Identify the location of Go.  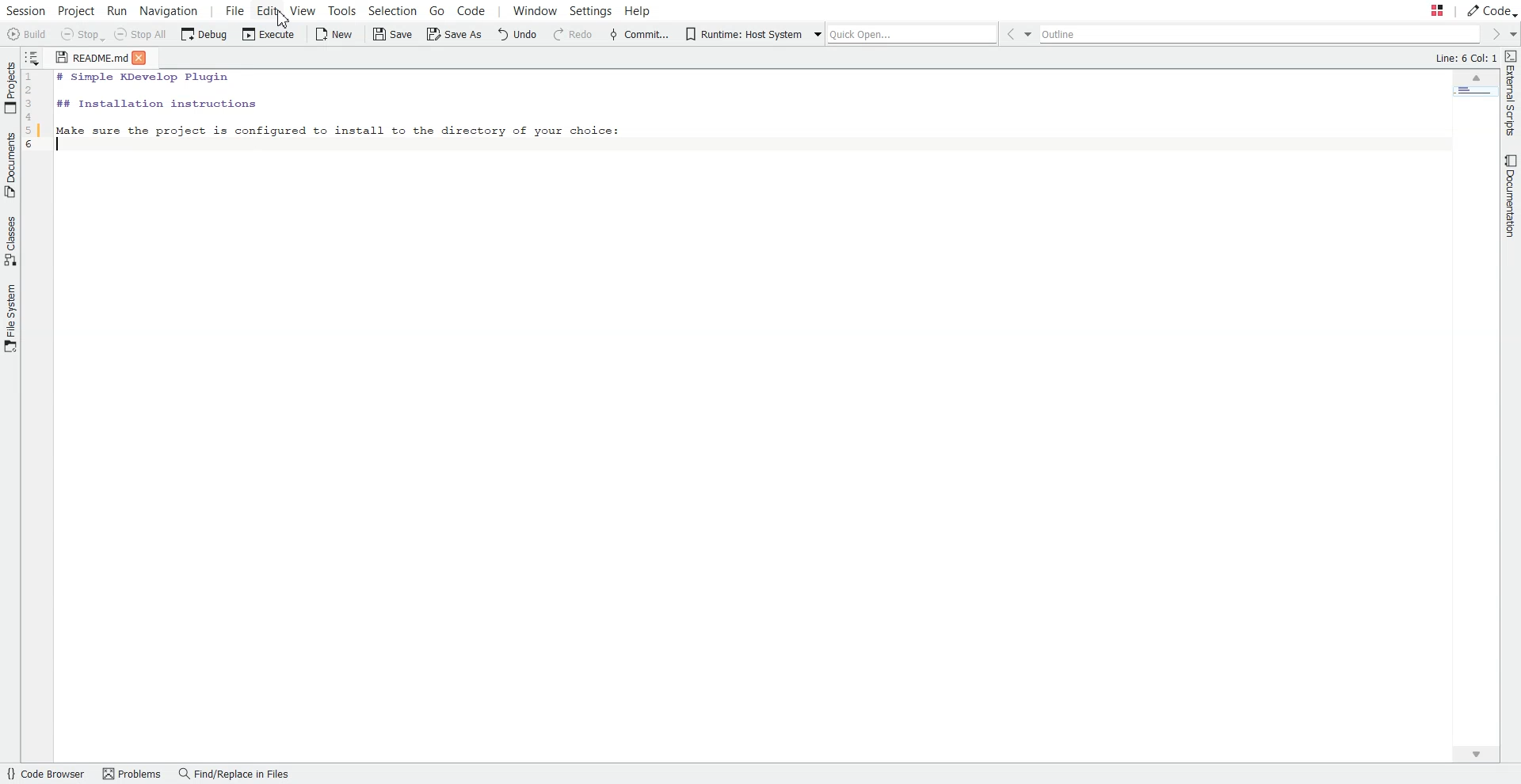
(436, 10).